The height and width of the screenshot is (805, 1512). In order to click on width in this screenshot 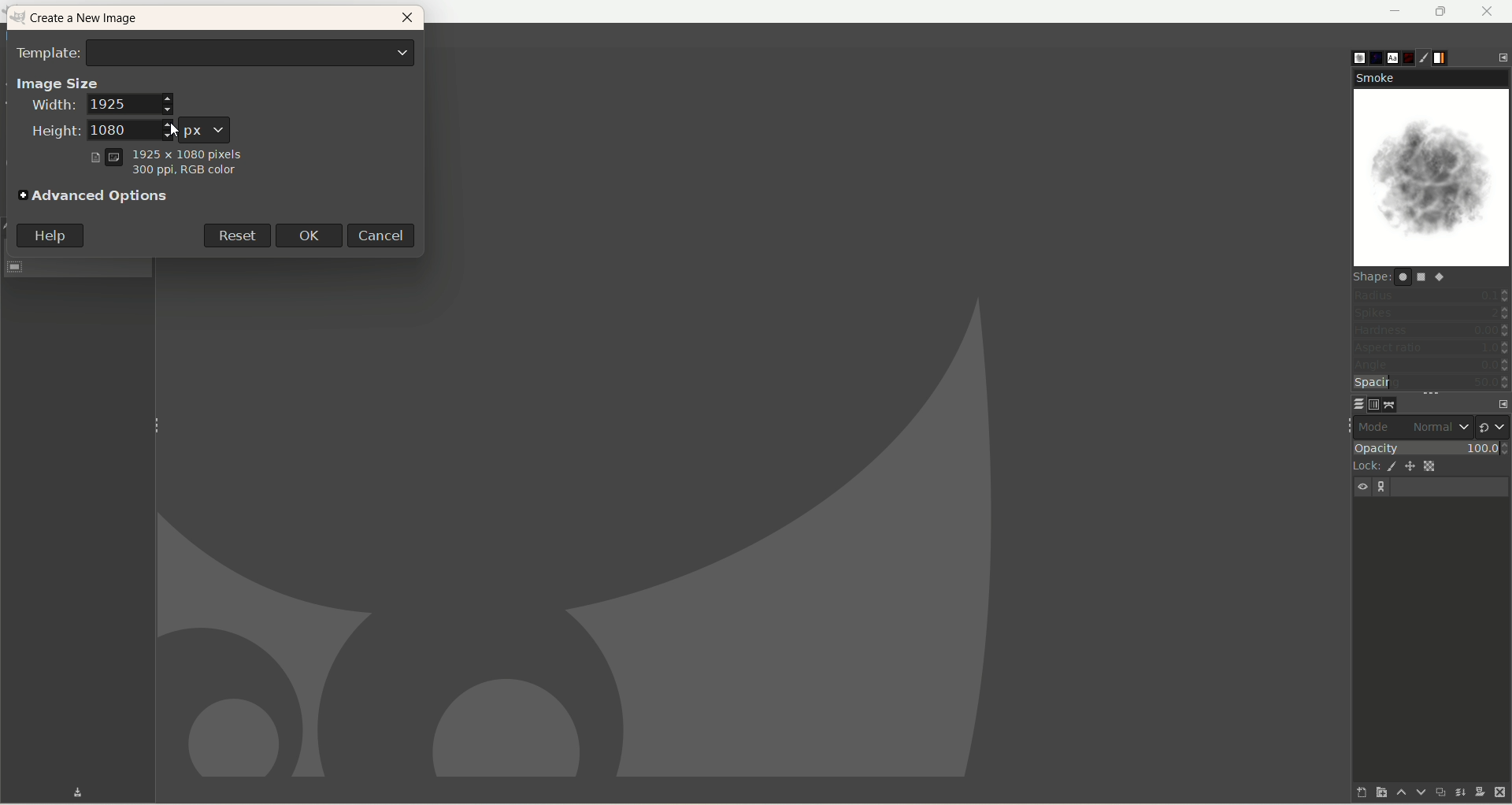, I will do `click(102, 107)`.